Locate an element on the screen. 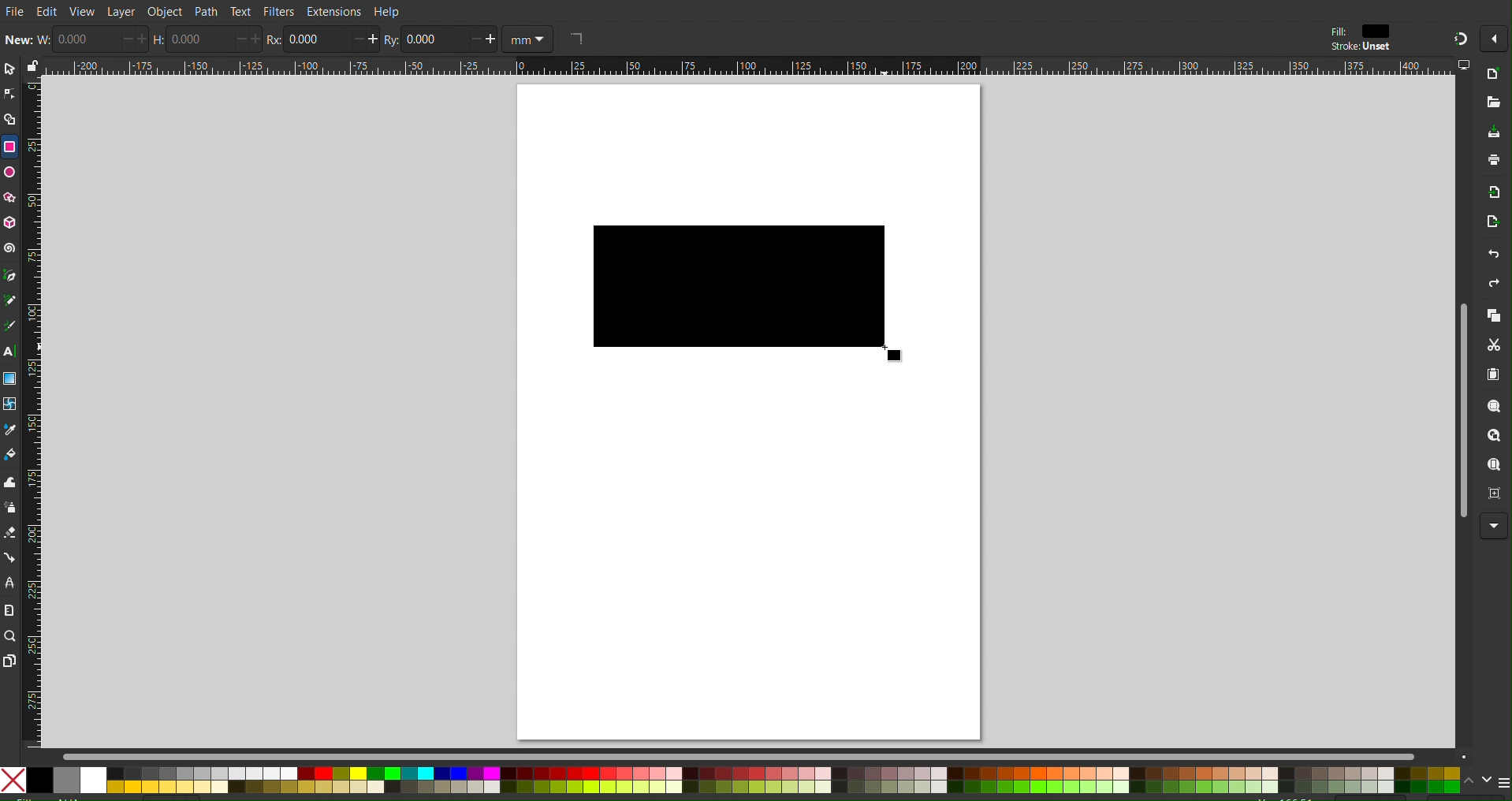 Image resolution: width=1512 pixels, height=801 pixels. Shape Builder Tool is located at coordinates (9, 117).